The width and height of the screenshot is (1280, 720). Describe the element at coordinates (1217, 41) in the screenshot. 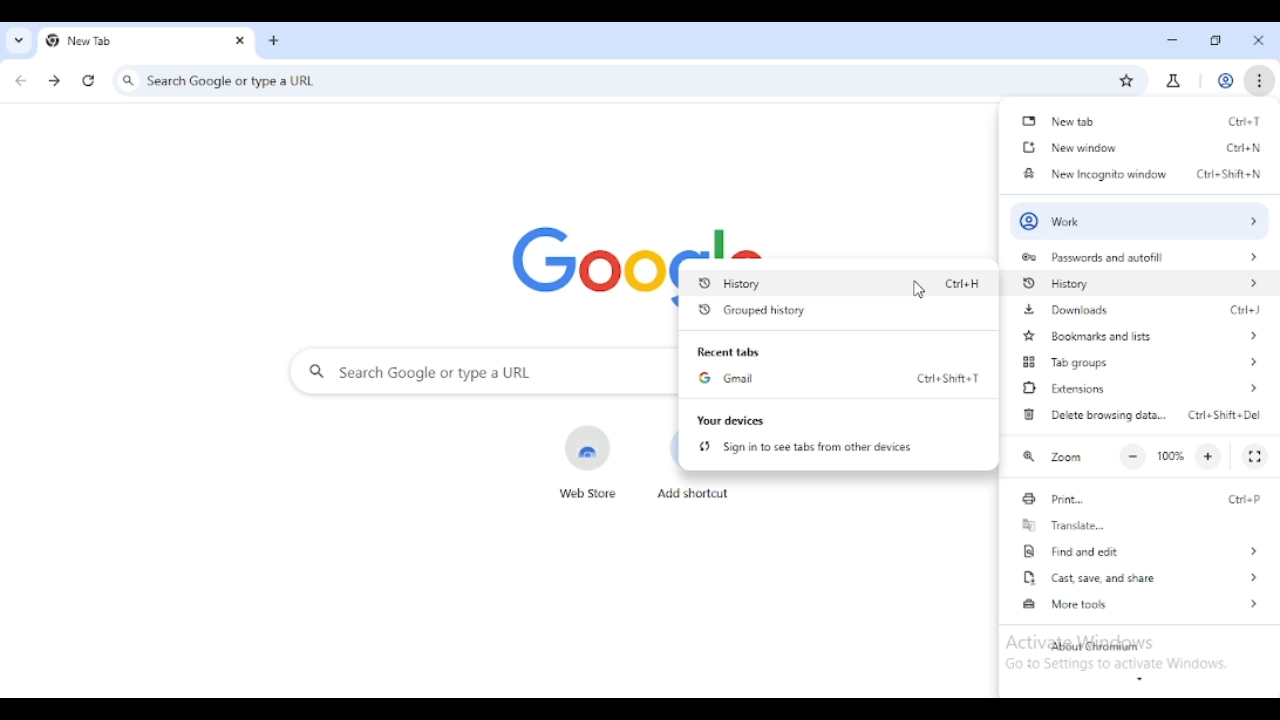

I see `maximize` at that location.